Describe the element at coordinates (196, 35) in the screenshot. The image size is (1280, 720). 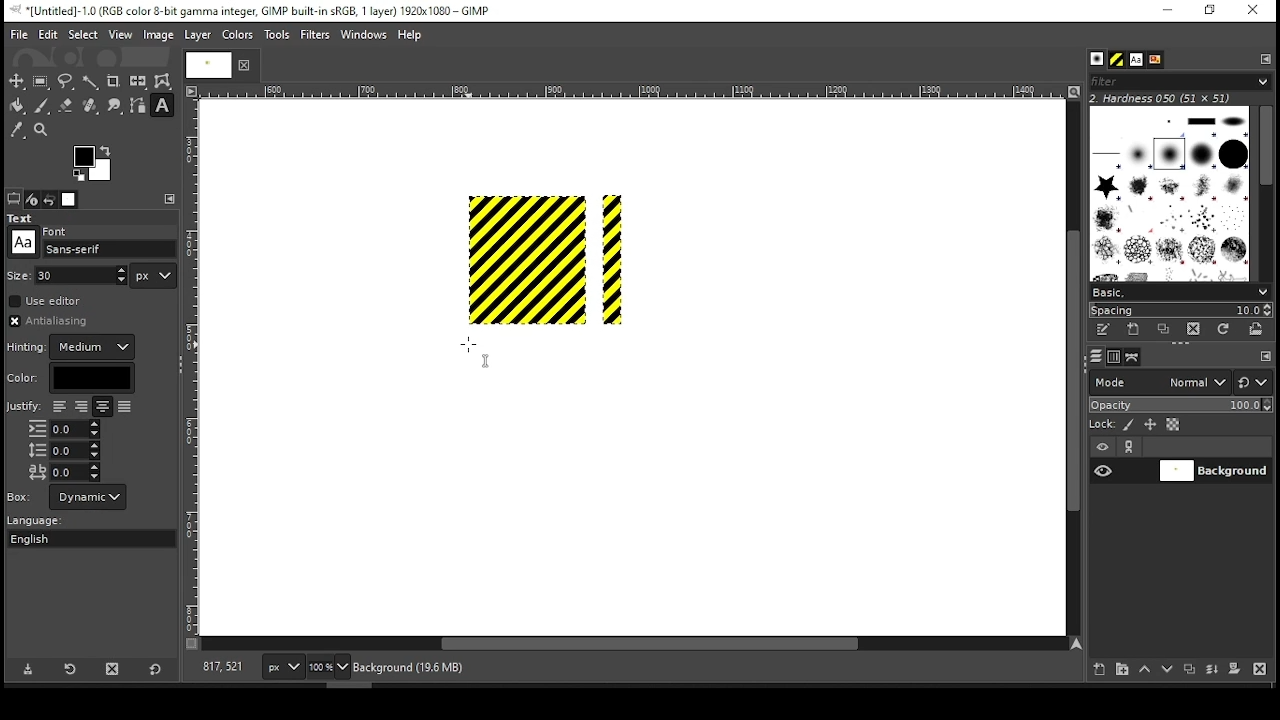
I see `layer` at that location.